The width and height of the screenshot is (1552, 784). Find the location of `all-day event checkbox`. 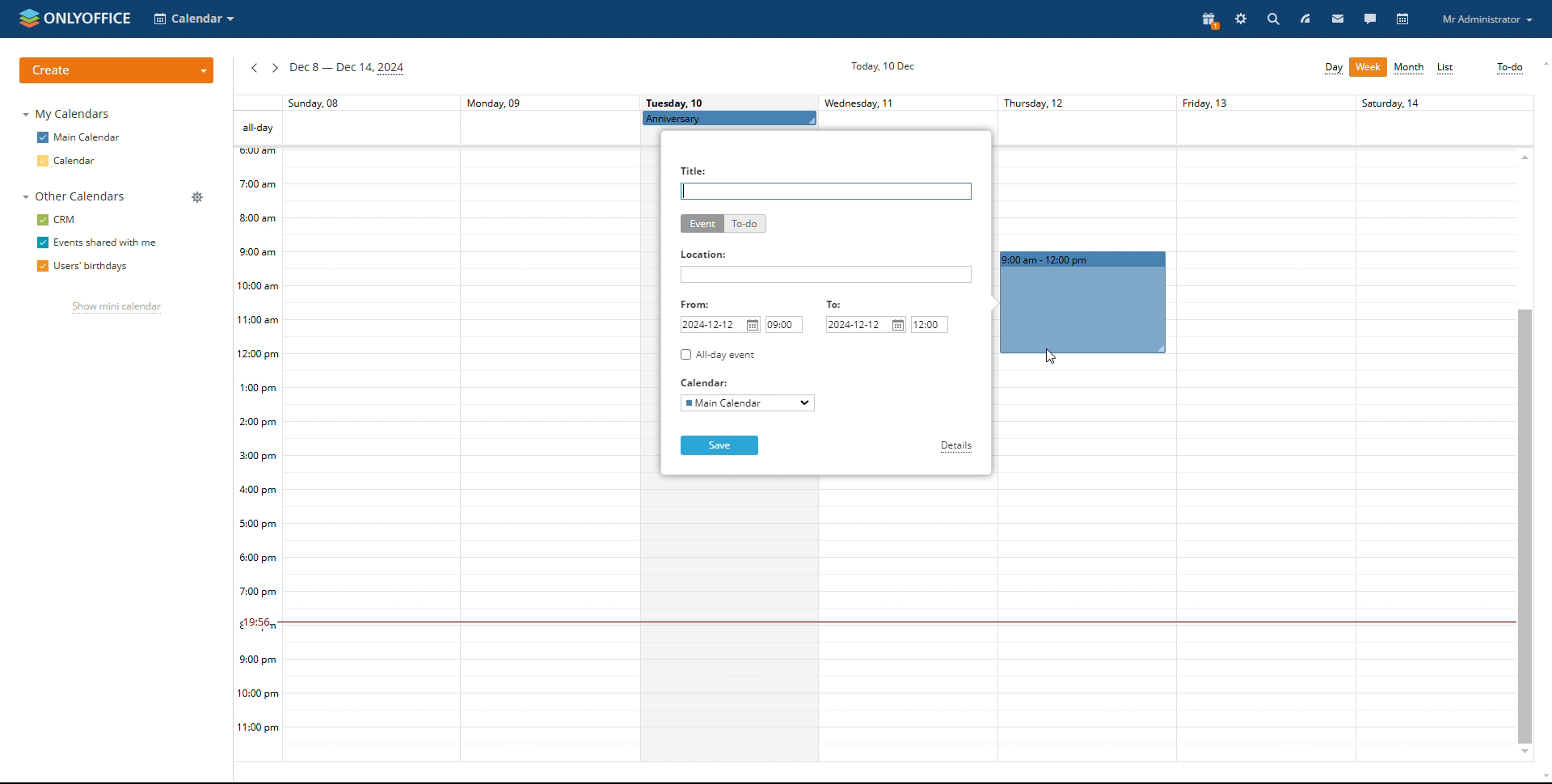

all-day event checkbox is located at coordinates (718, 354).